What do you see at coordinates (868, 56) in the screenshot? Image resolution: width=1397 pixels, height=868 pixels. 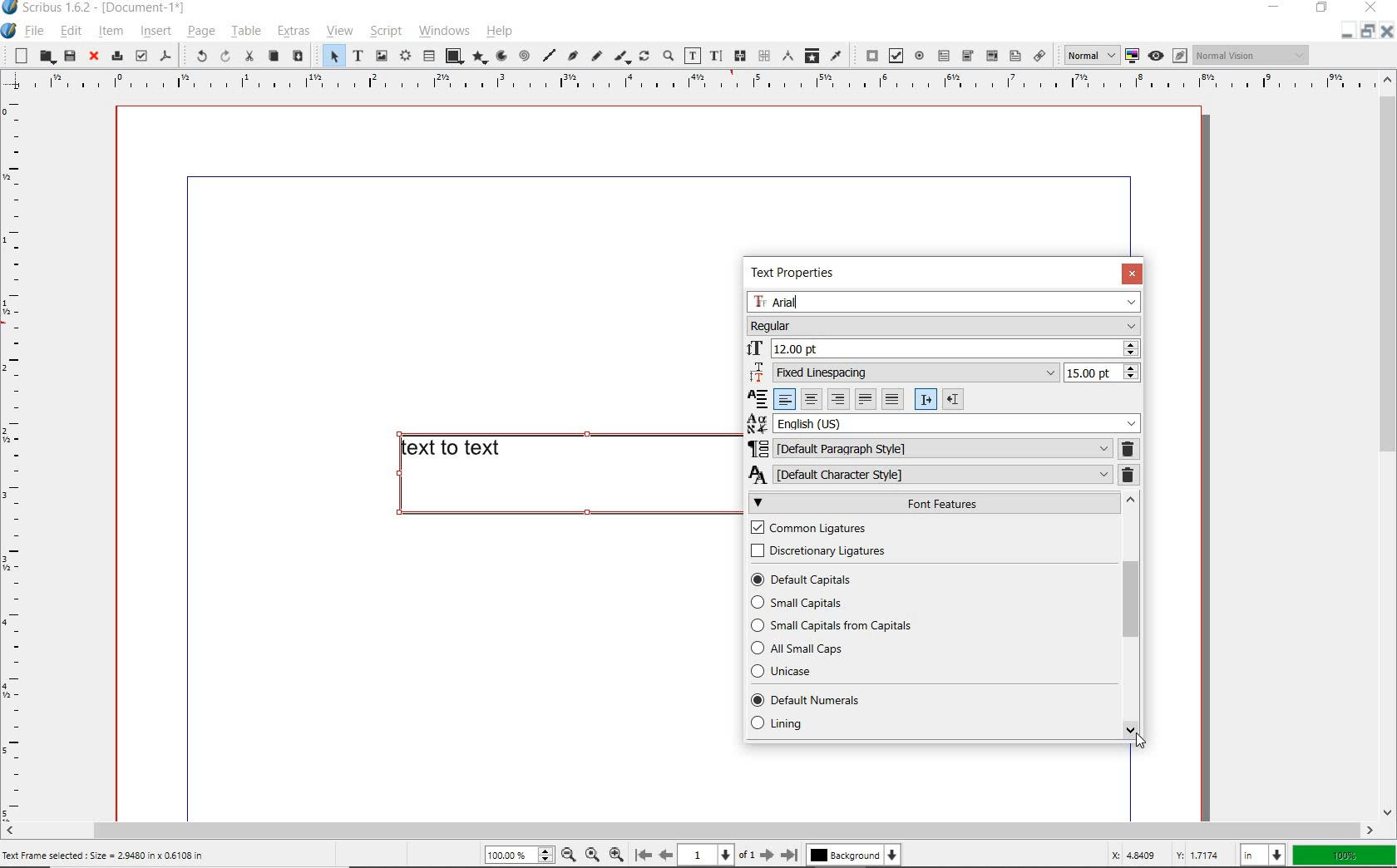 I see `pdf push button` at bounding box center [868, 56].